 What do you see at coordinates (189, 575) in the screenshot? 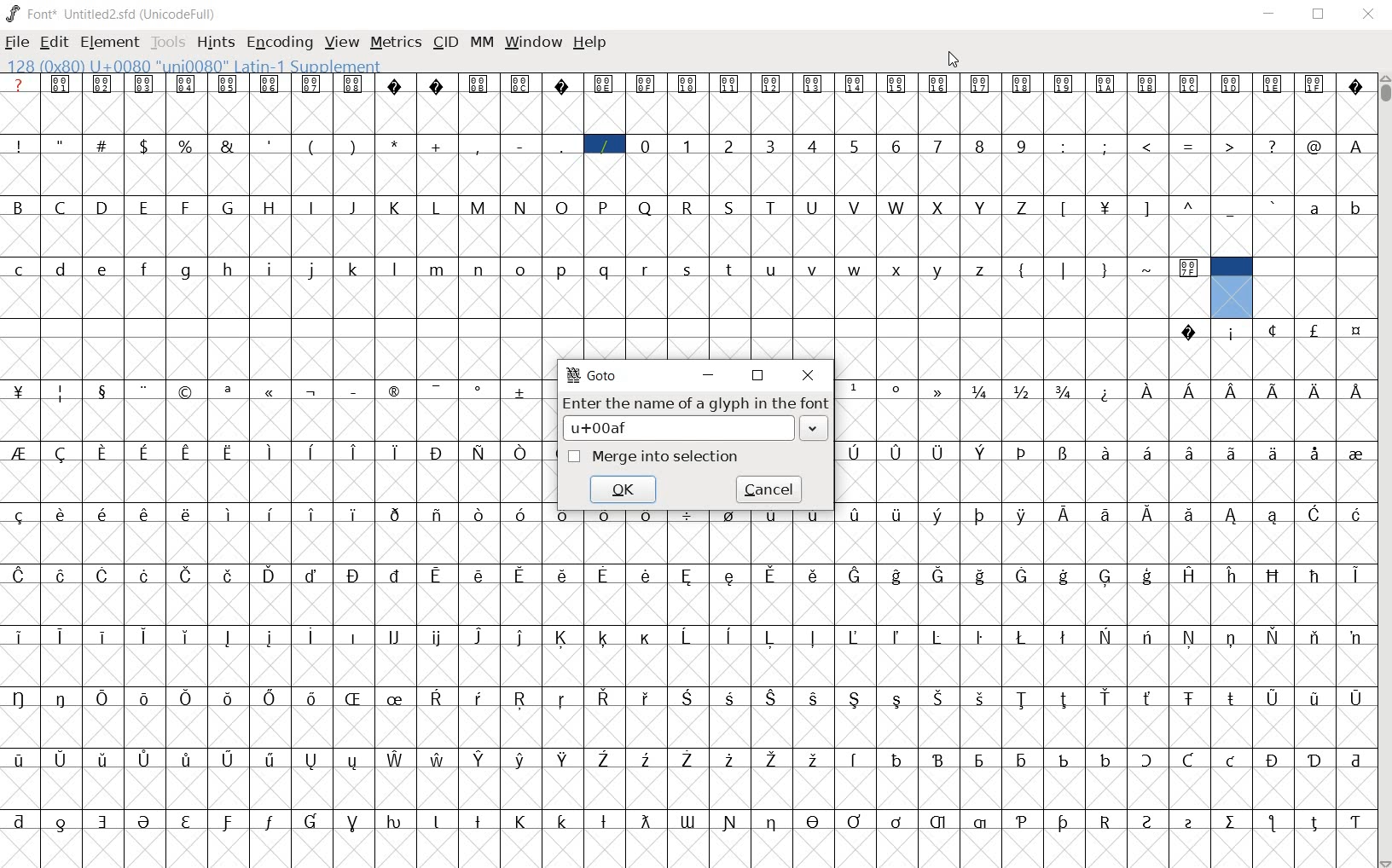
I see `Symbol` at bounding box center [189, 575].